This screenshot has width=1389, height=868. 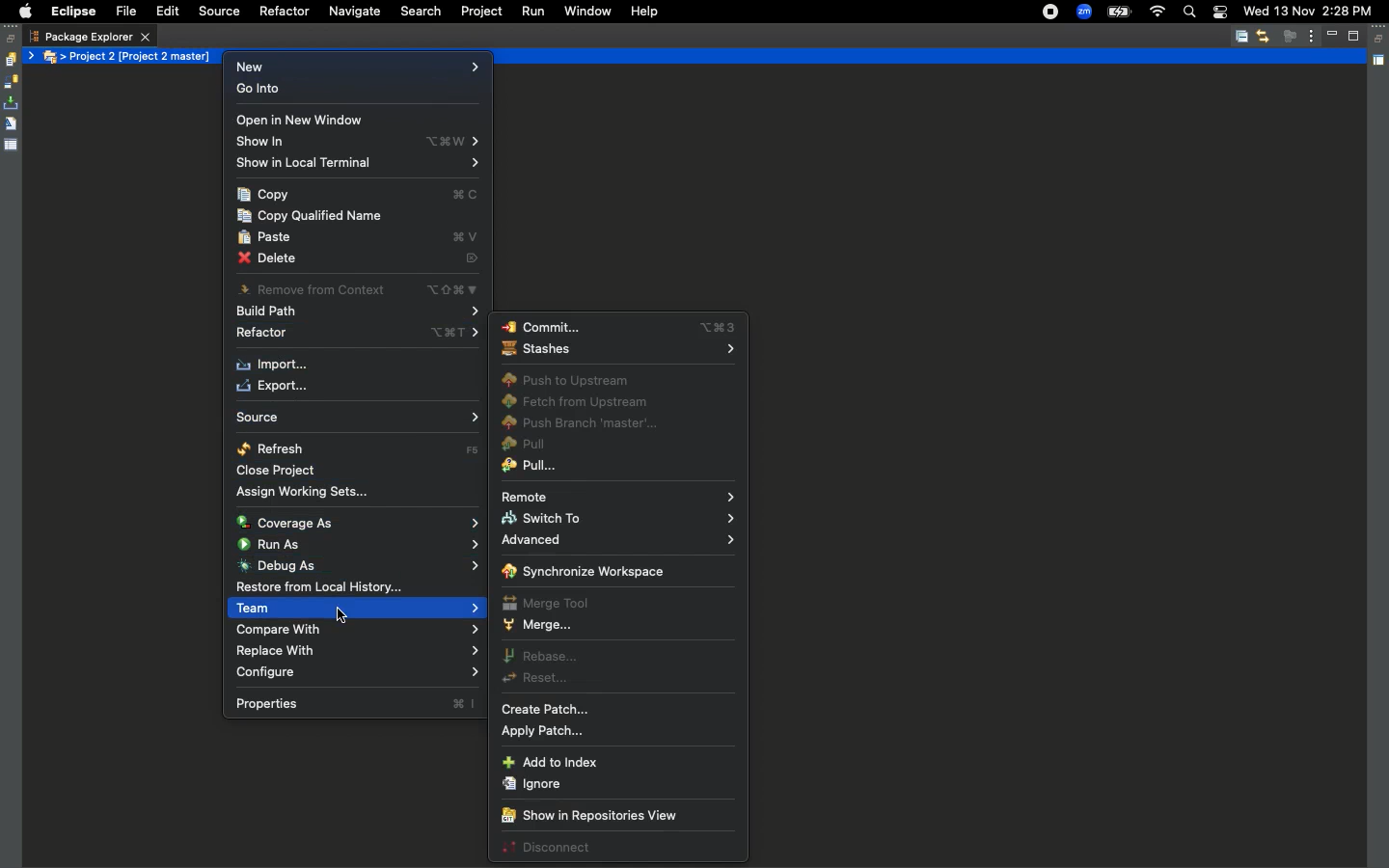 I want to click on Go into, so click(x=354, y=91).